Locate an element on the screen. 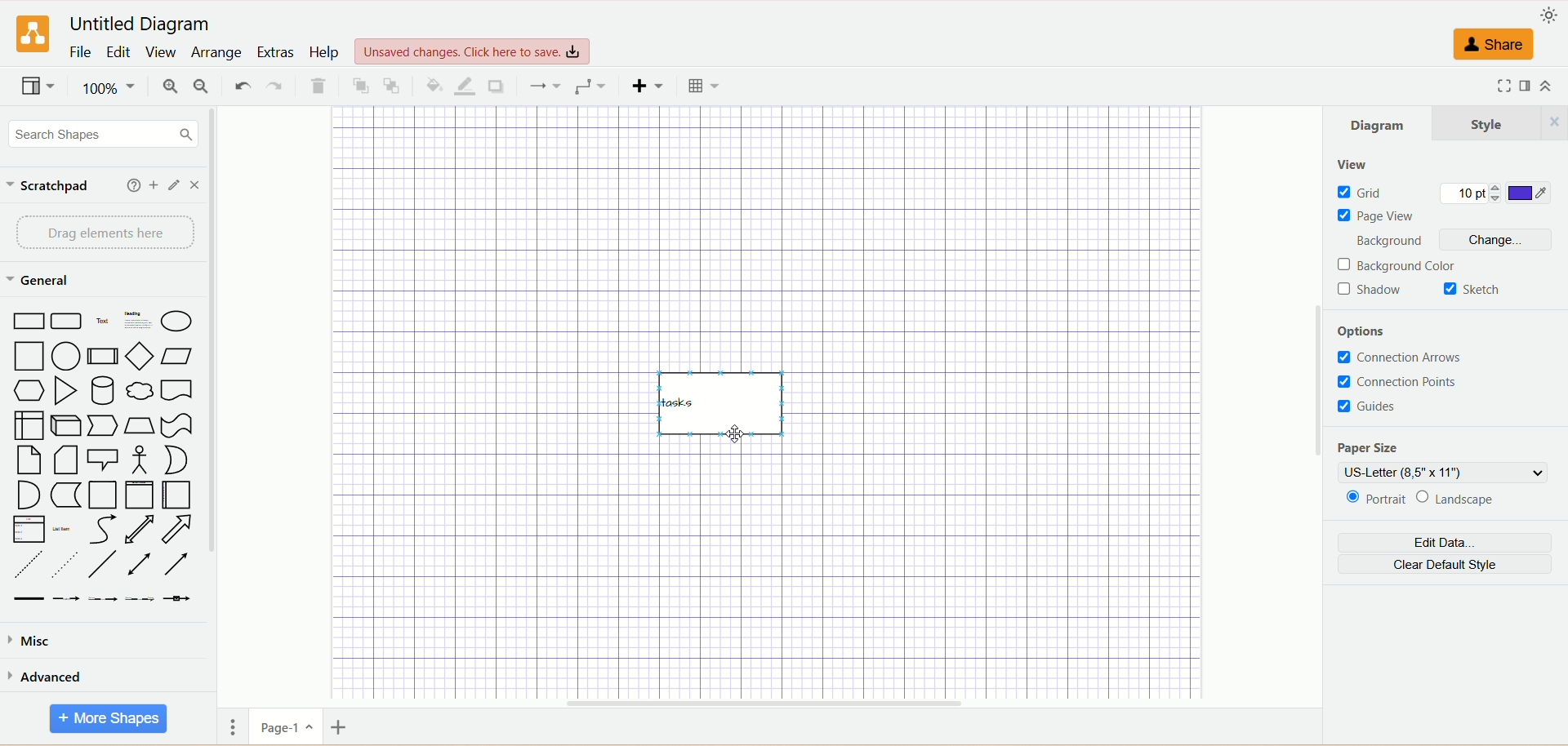 The width and height of the screenshot is (1568, 746). insert is located at coordinates (648, 86).